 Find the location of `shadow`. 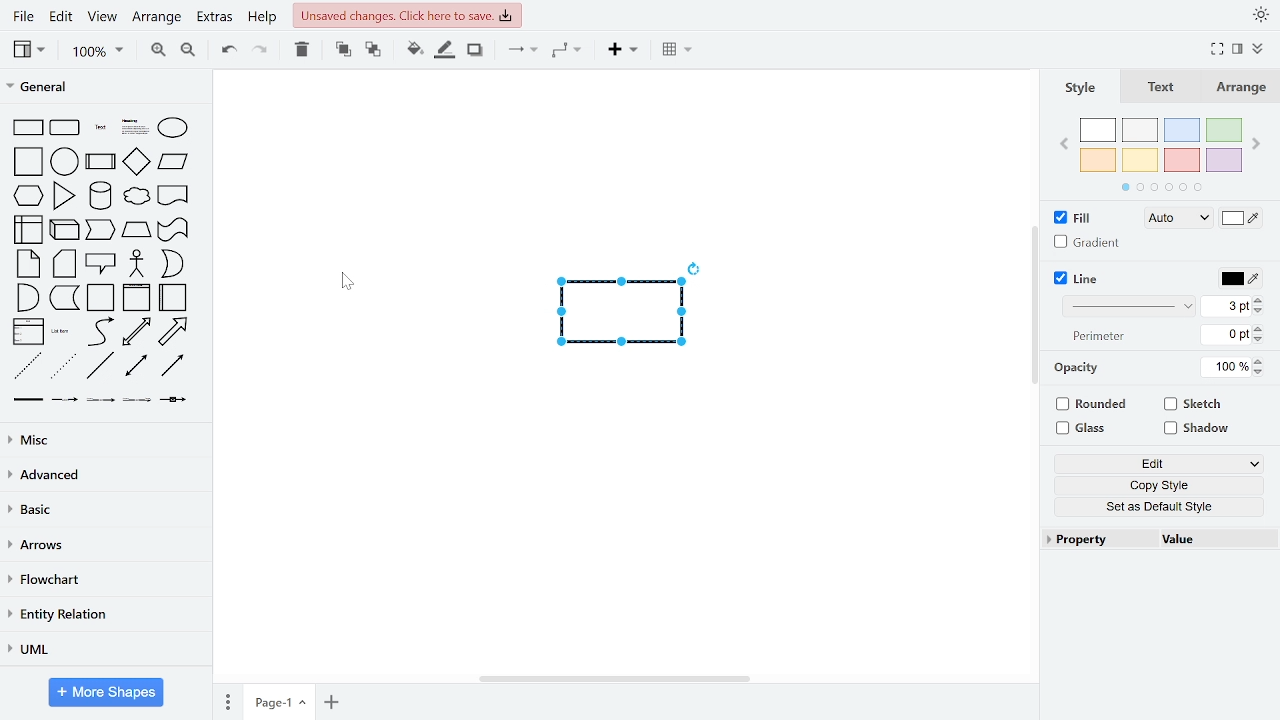

shadow is located at coordinates (478, 51).